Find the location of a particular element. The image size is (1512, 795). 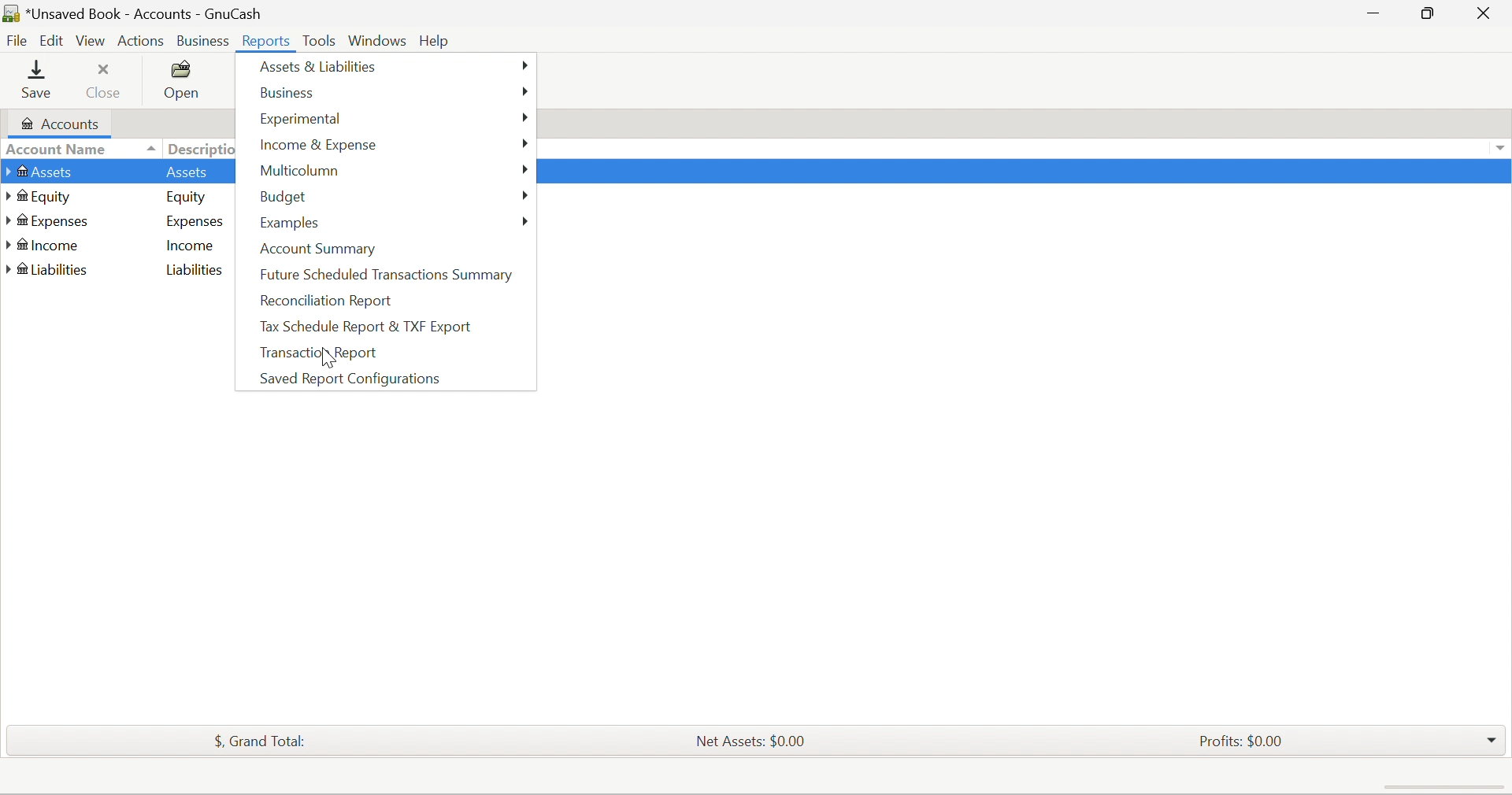

Account Summary is located at coordinates (317, 247).